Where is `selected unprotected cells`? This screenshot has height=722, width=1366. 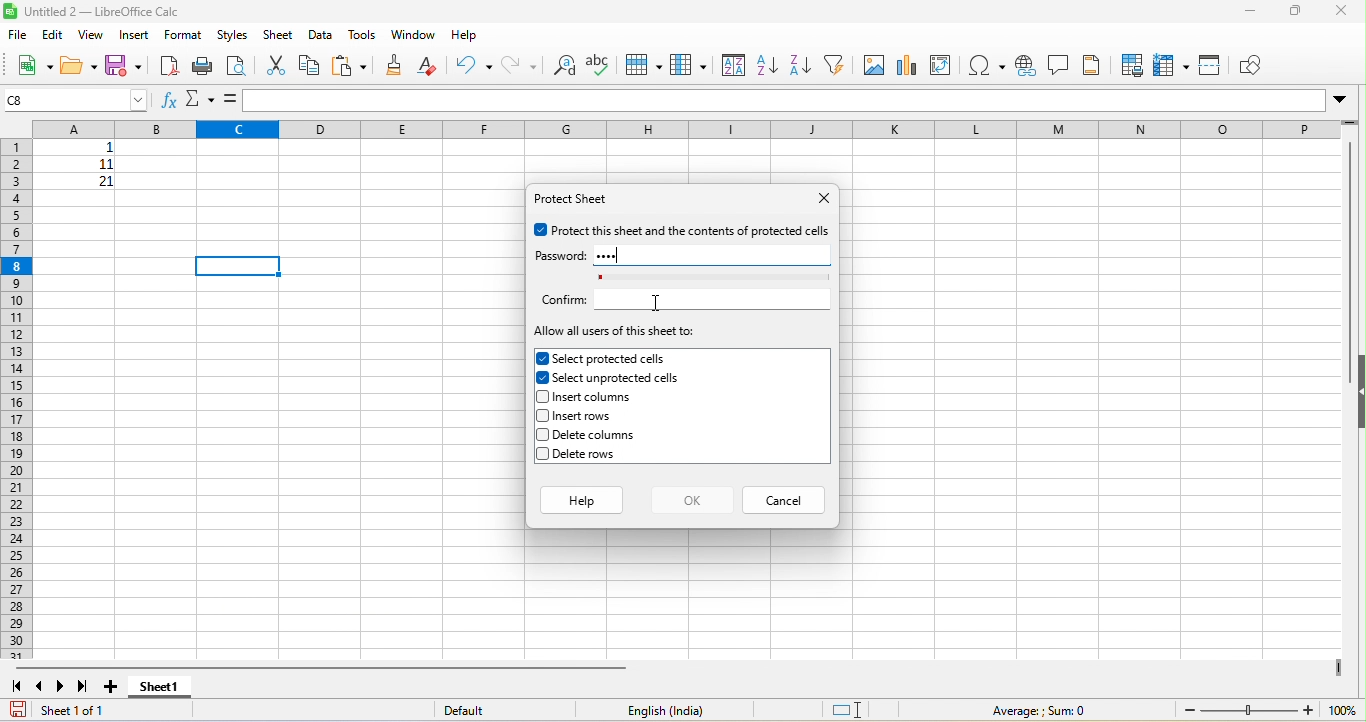
selected unprotected cells is located at coordinates (608, 377).